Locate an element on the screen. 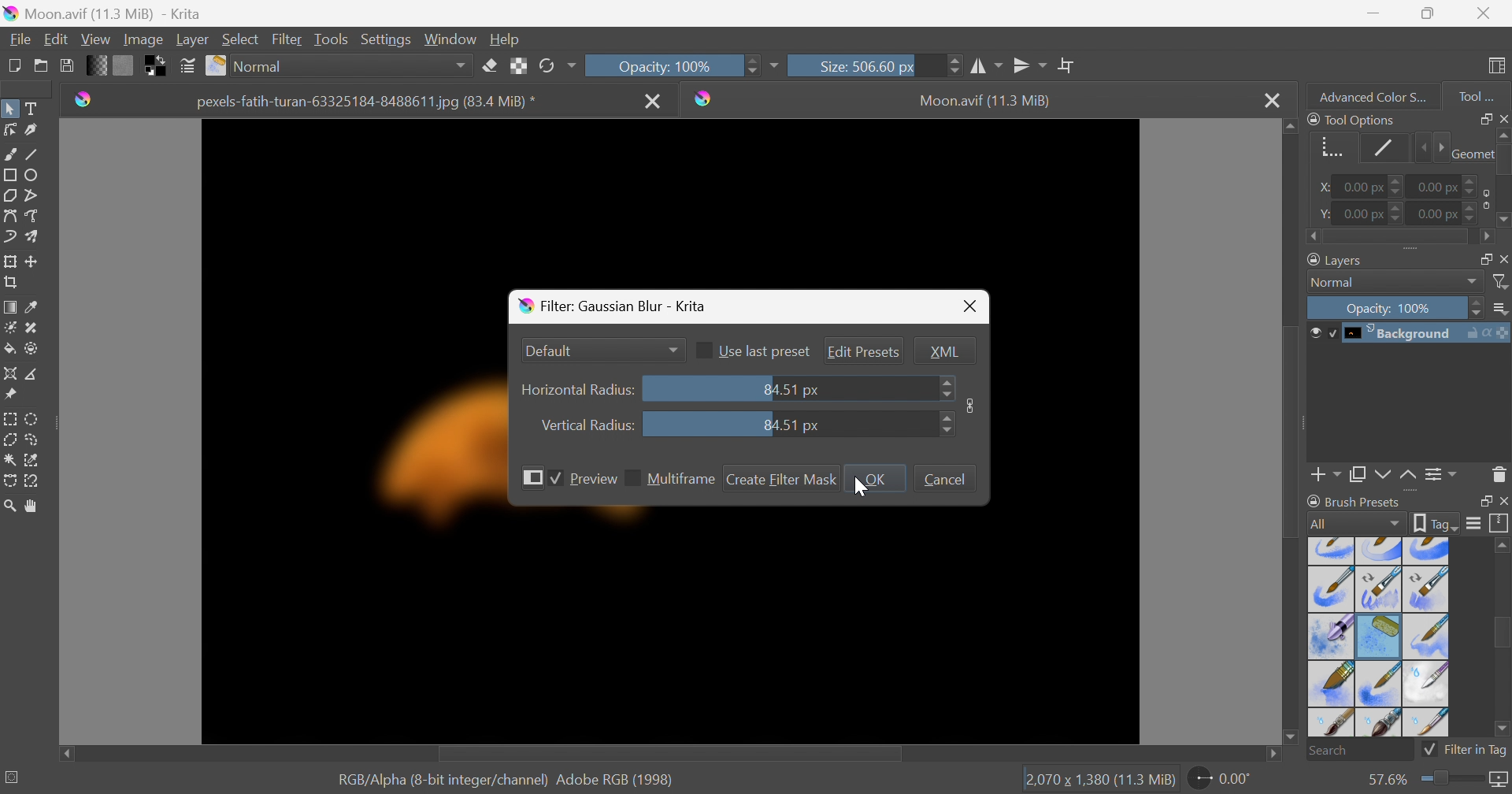 Image resolution: width=1512 pixels, height=794 pixels. Crop an image to an area is located at coordinates (9, 280).